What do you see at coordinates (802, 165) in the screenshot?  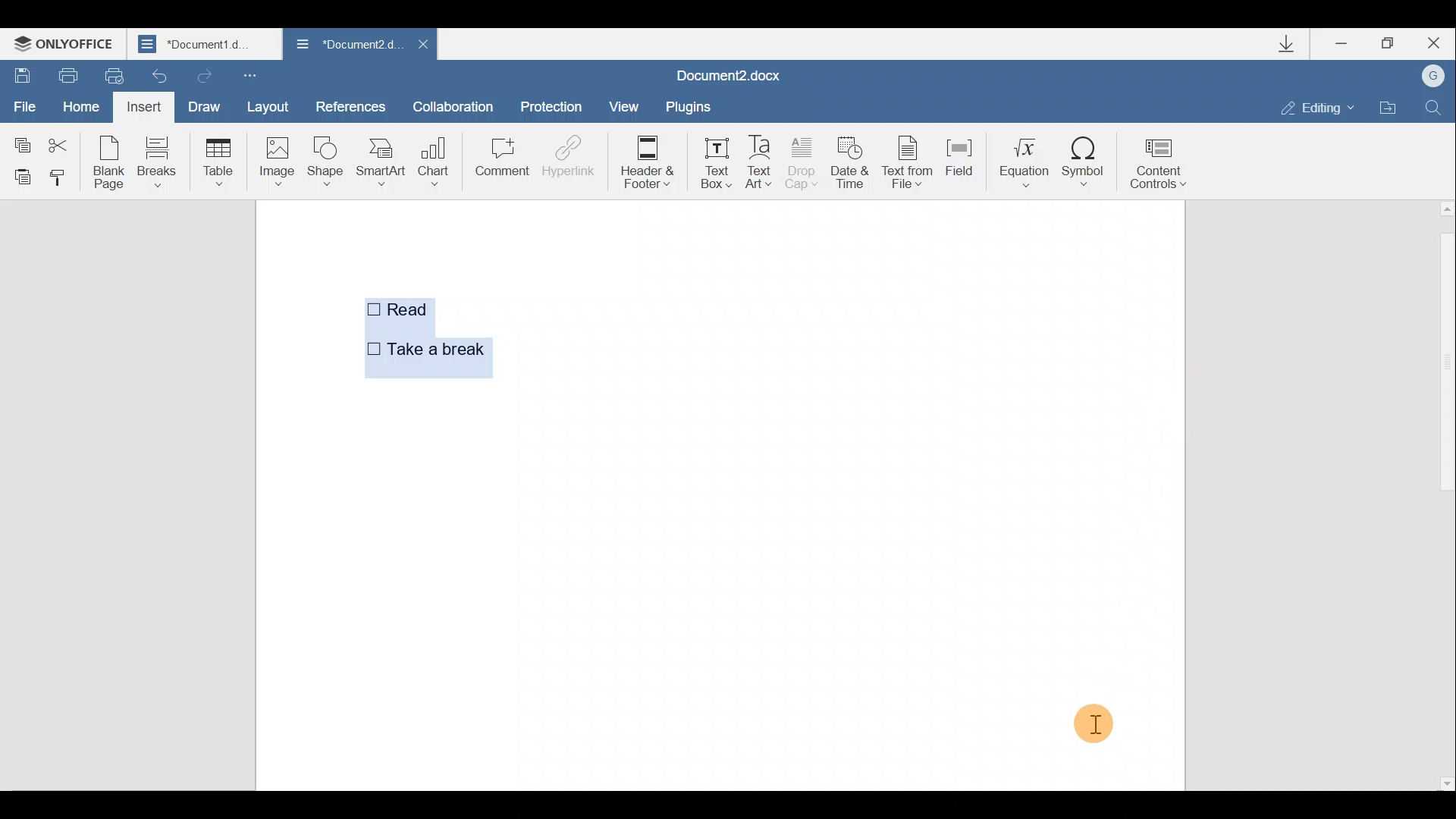 I see `Drop cap` at bounding box center [802, 165].